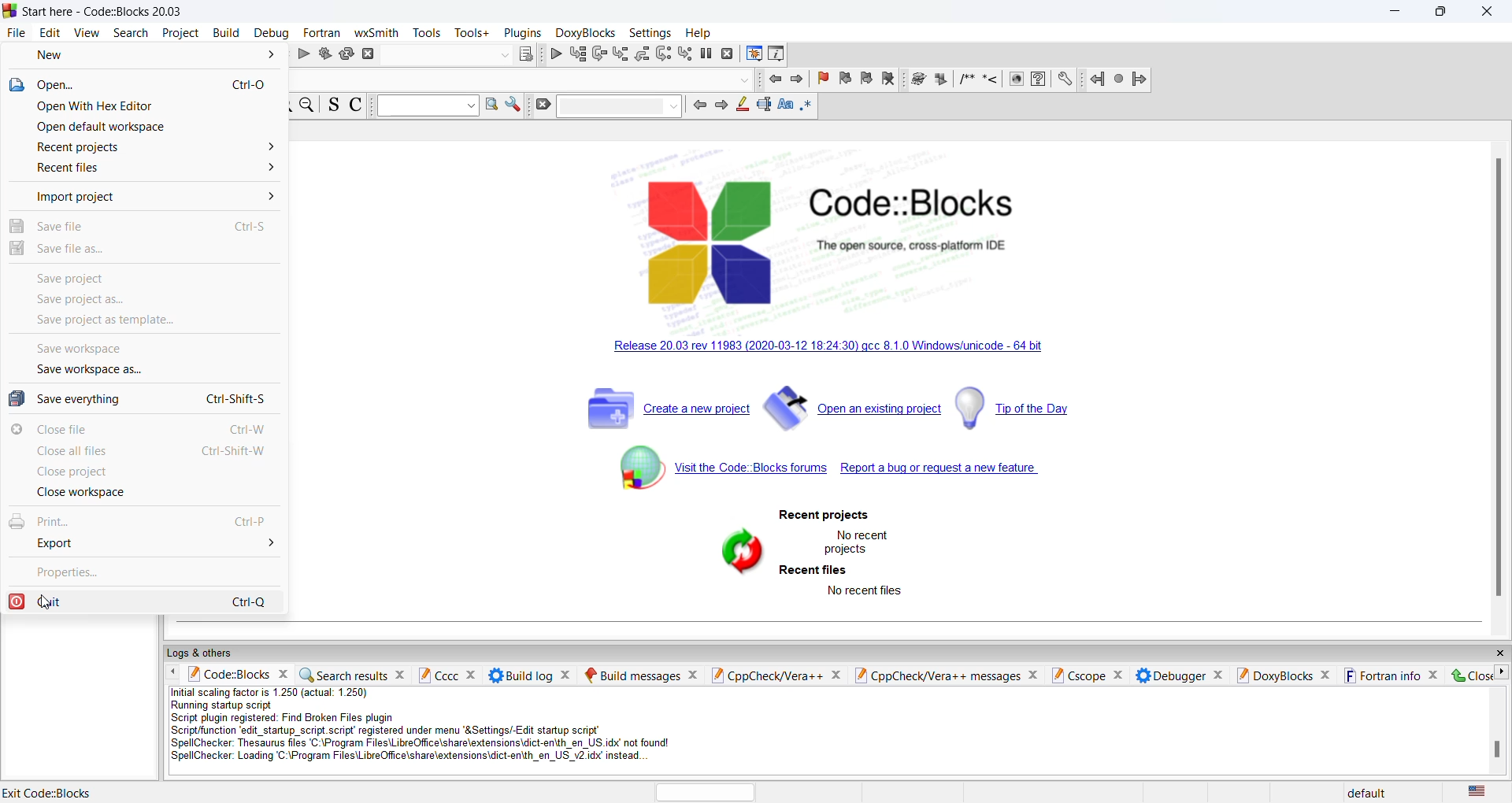 This screenshot has height=803, width=1512. I want to click on next , so click(796, 83).